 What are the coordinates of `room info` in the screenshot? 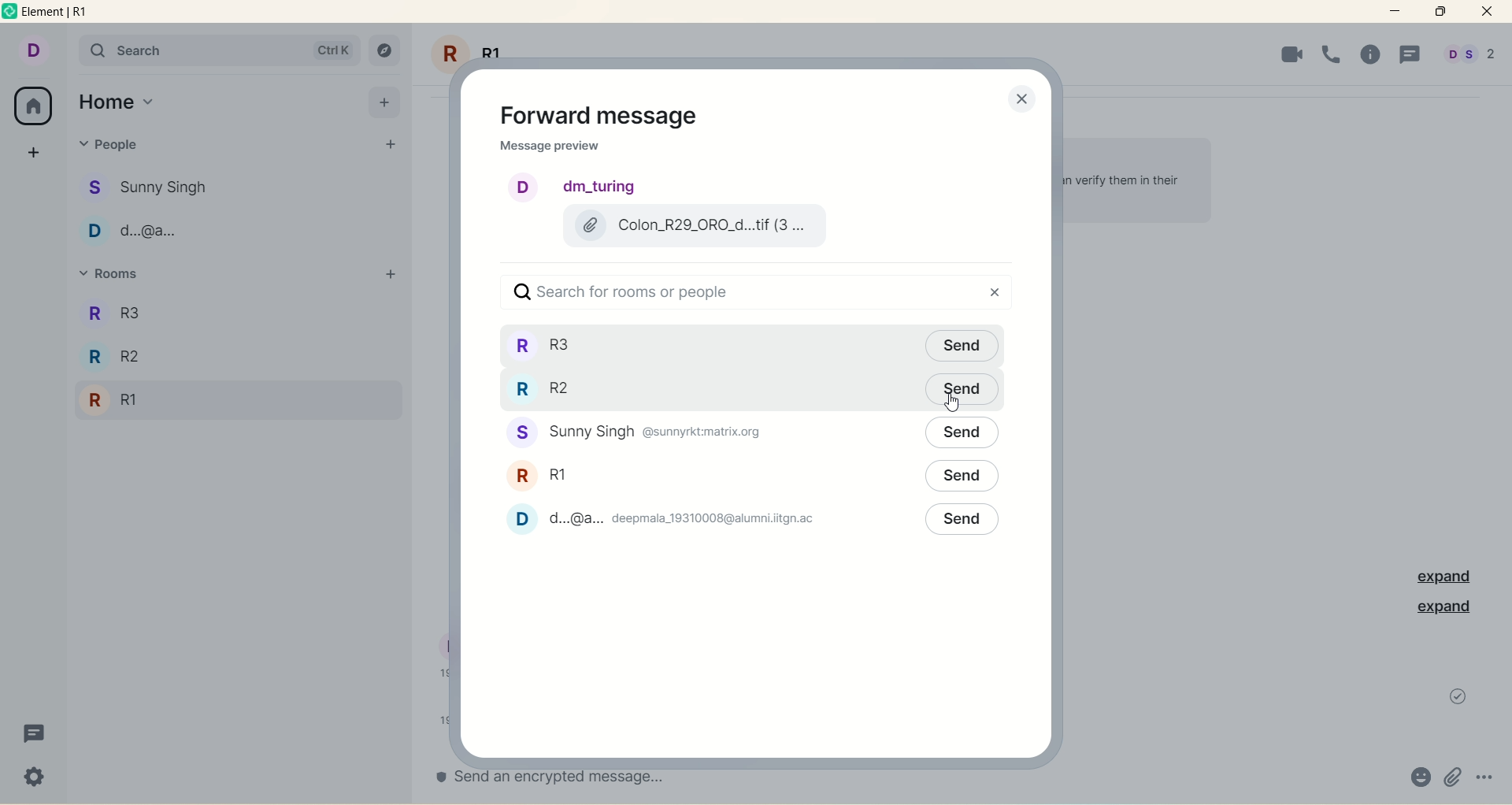 It's located at (1377, 55).